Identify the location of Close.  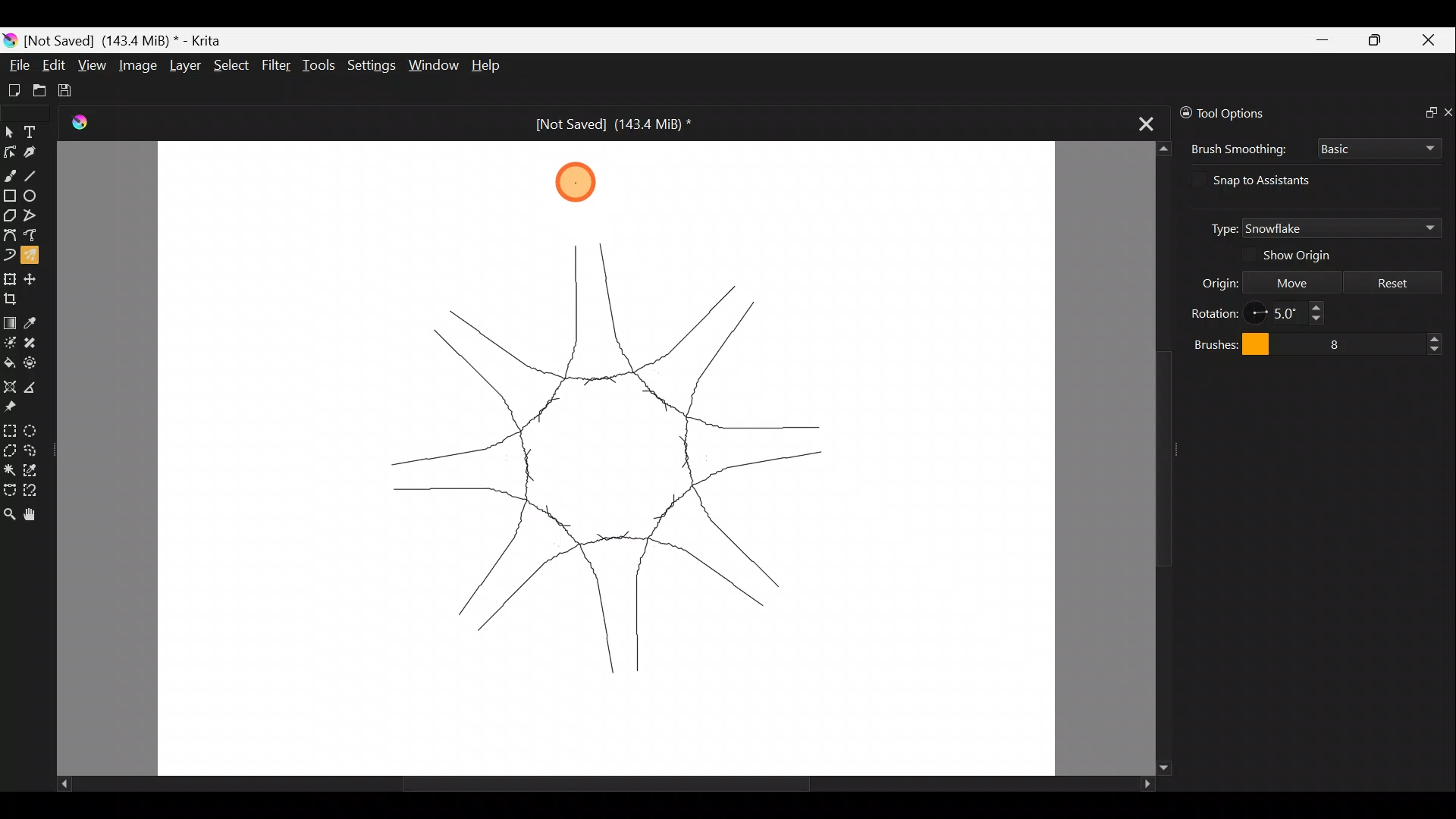
(1432, 39).